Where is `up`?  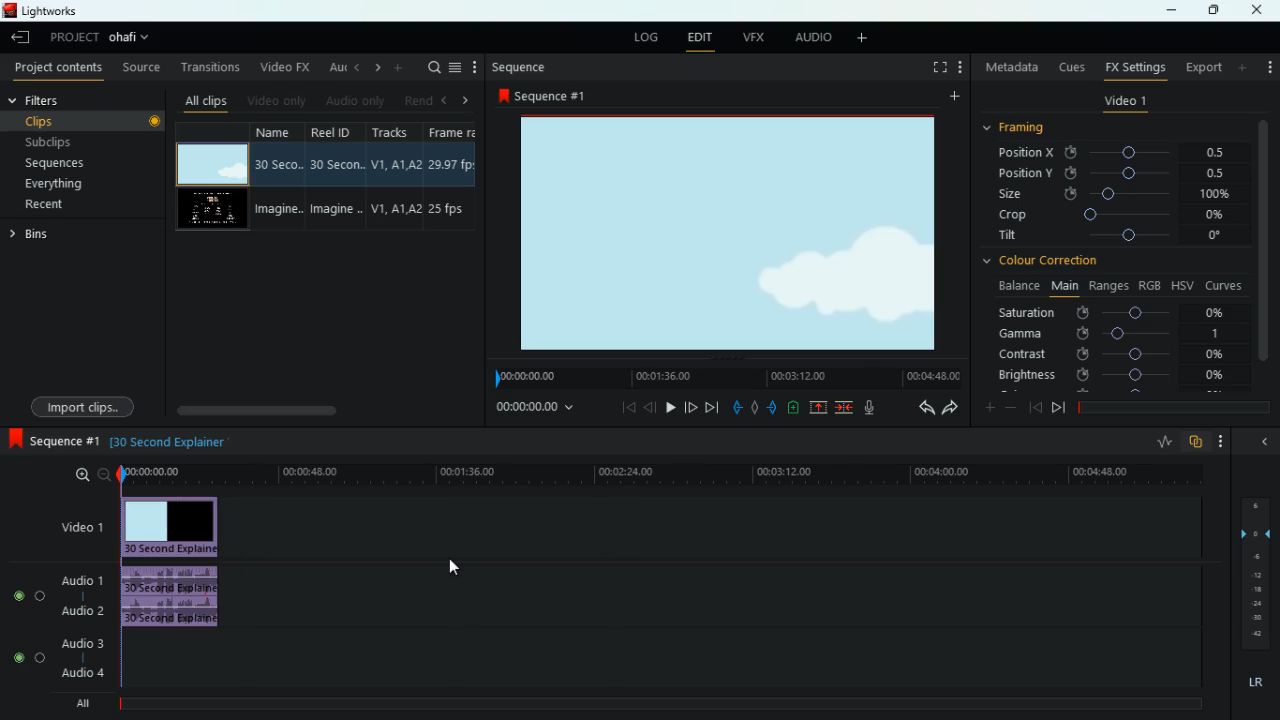 up is located at coordinates (818, 408).